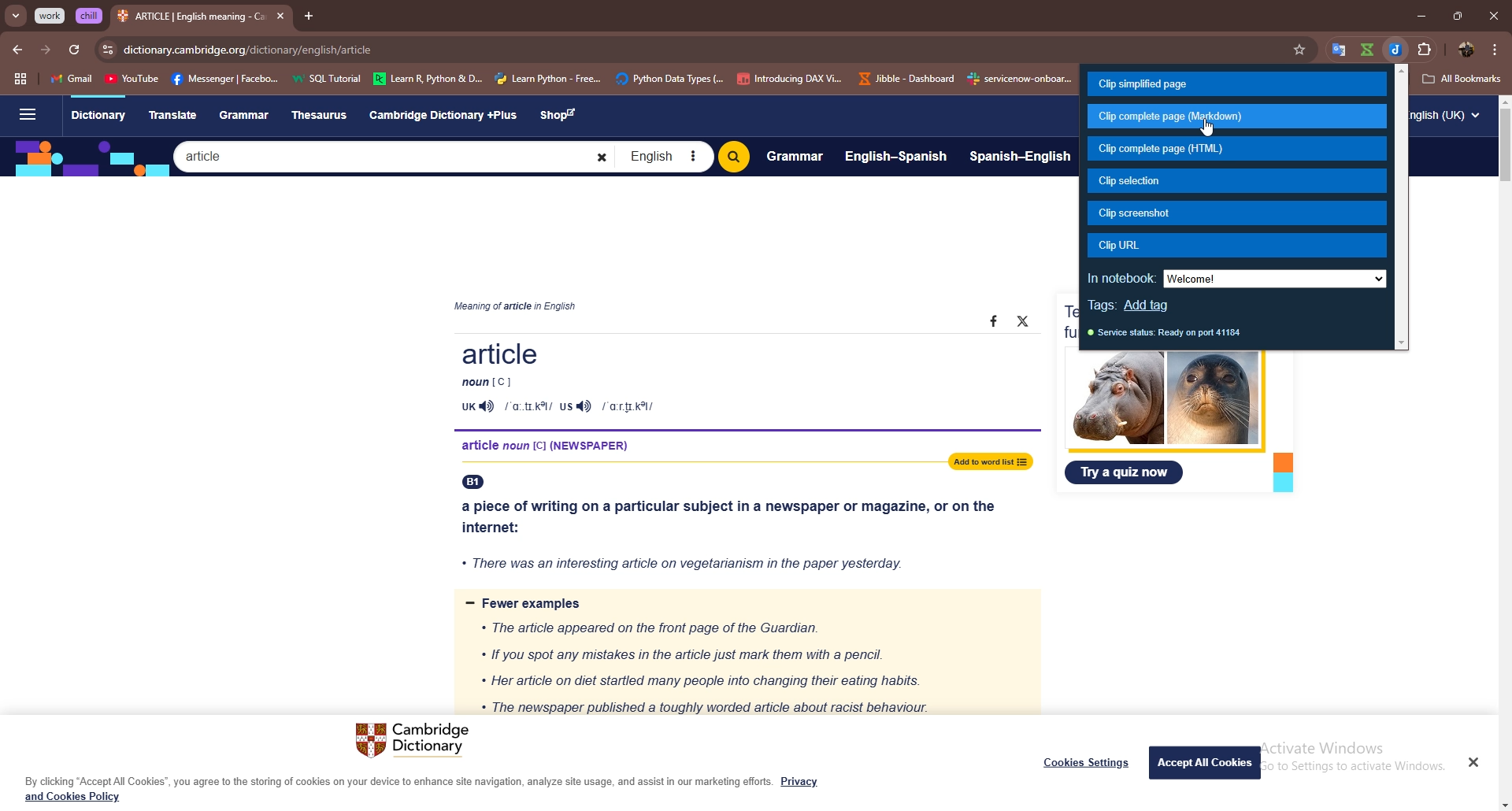  Describe the element at coordinates (73, 50) in the screenshot. I see `refresh` at that location.